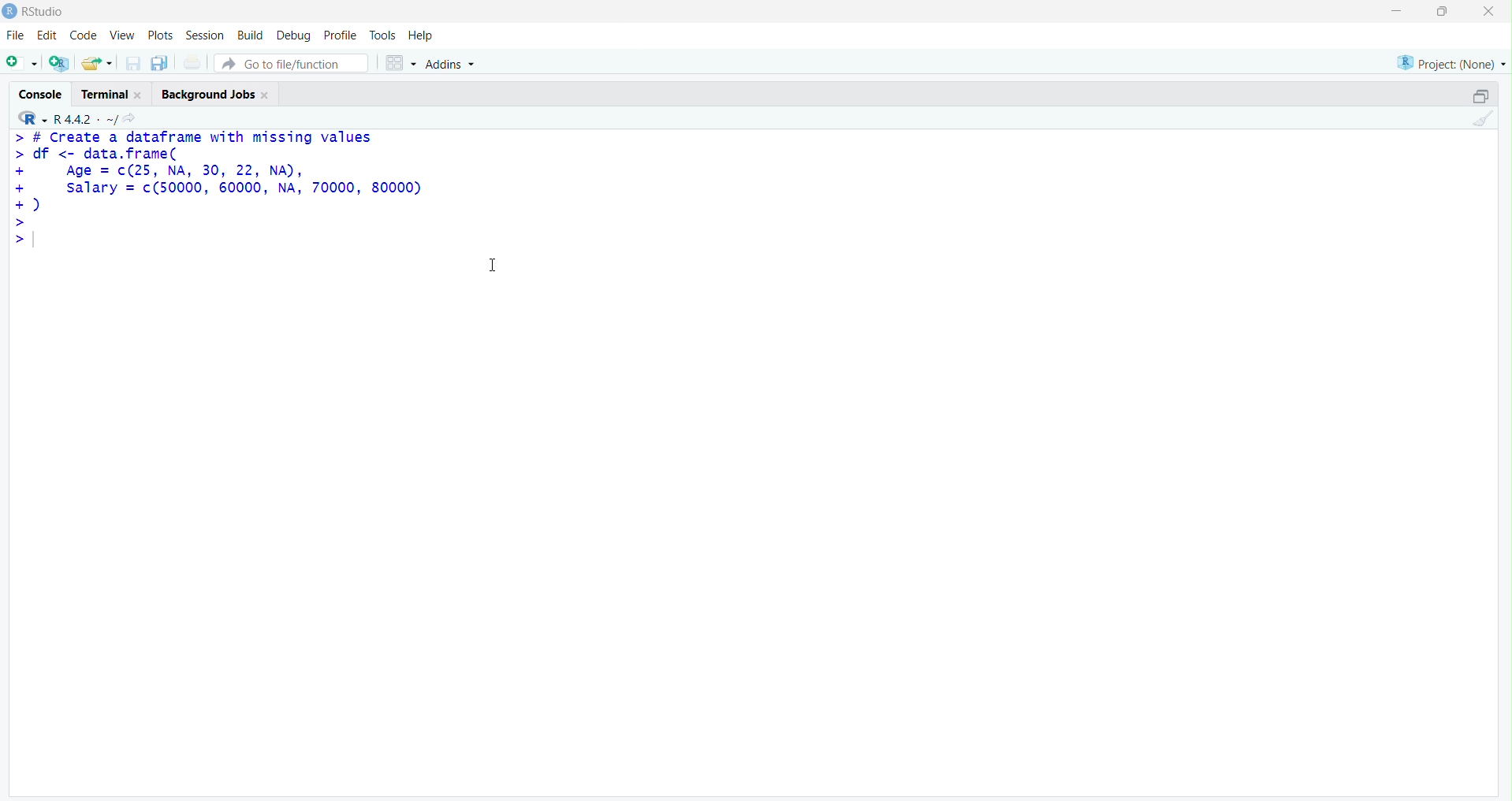  I want to click on Code, so click(84, 36).